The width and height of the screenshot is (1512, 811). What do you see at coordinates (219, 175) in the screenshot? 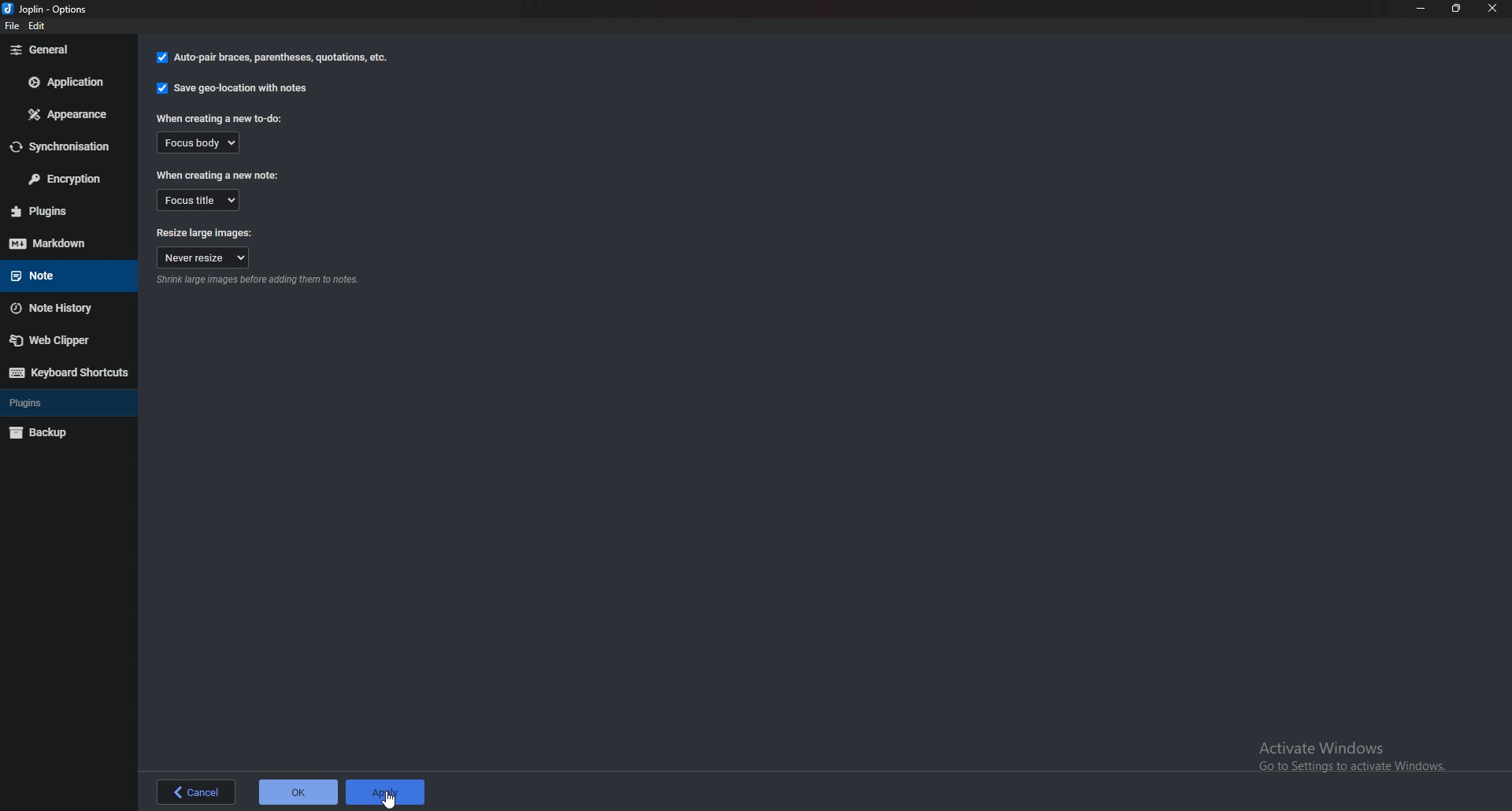
I see `When creating a new note` at bounding box center [219, 175].